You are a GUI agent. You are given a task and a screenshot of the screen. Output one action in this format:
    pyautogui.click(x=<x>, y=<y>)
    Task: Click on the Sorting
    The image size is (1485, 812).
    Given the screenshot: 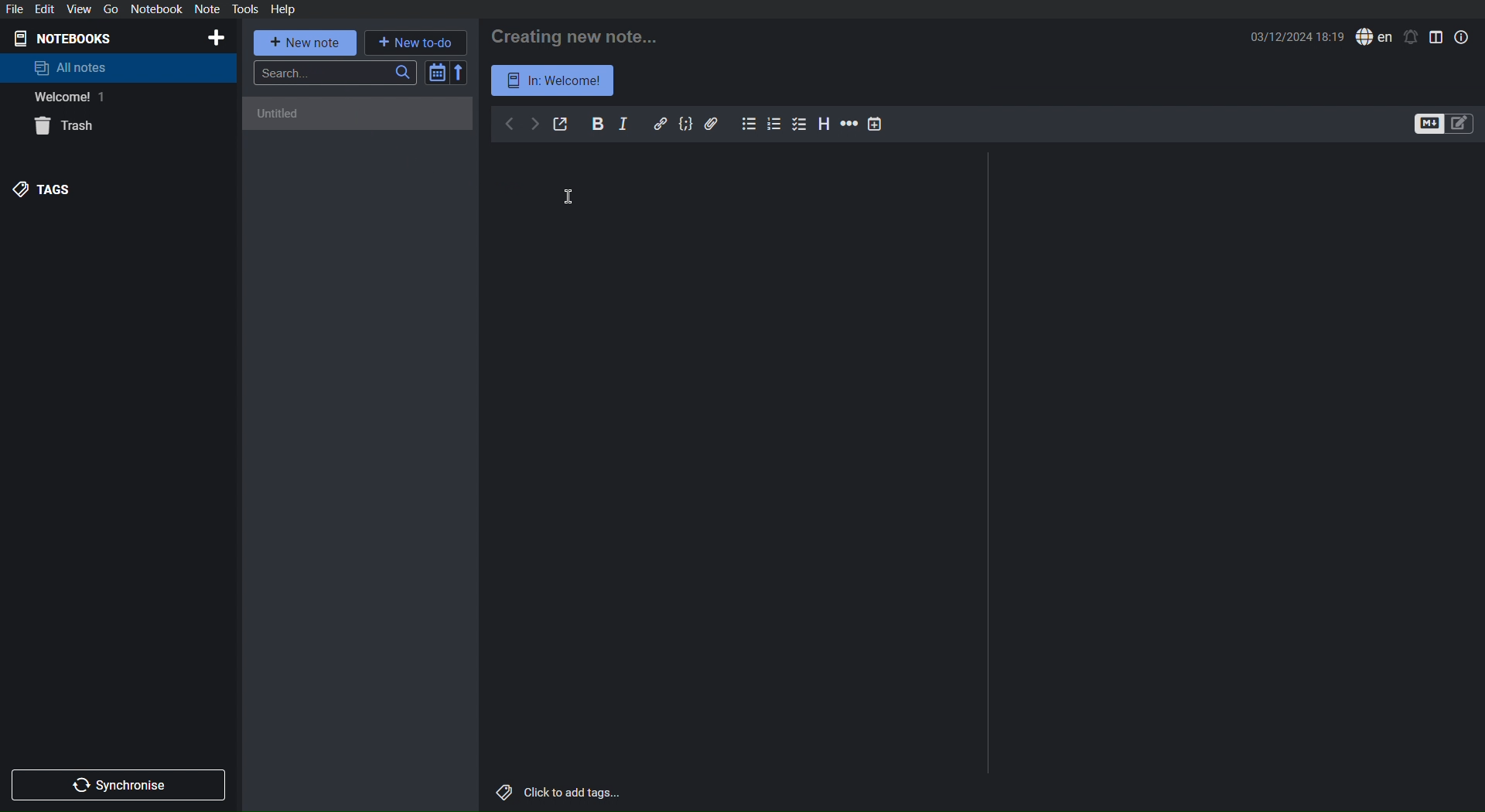 What is the action you would take?
    pyautogui.click(x=447, y=72)
    